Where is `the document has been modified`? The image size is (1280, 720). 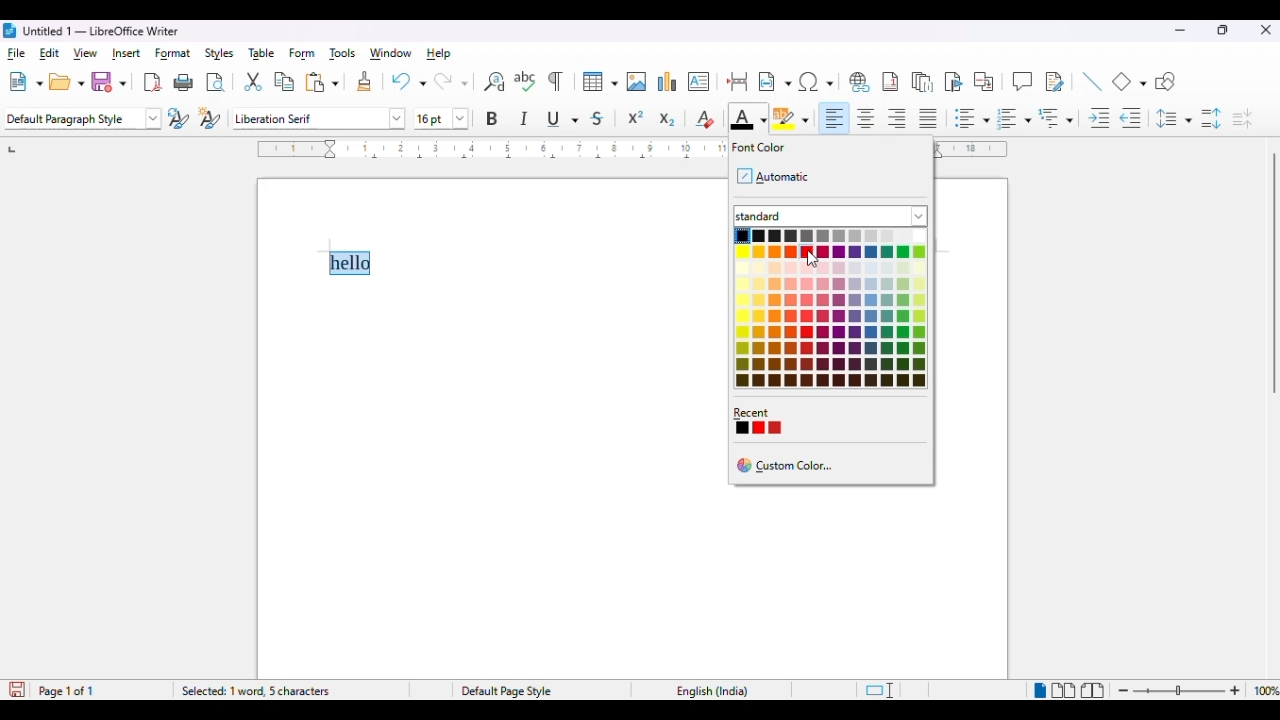
the document has been modified is located at coordinates (17, 690).